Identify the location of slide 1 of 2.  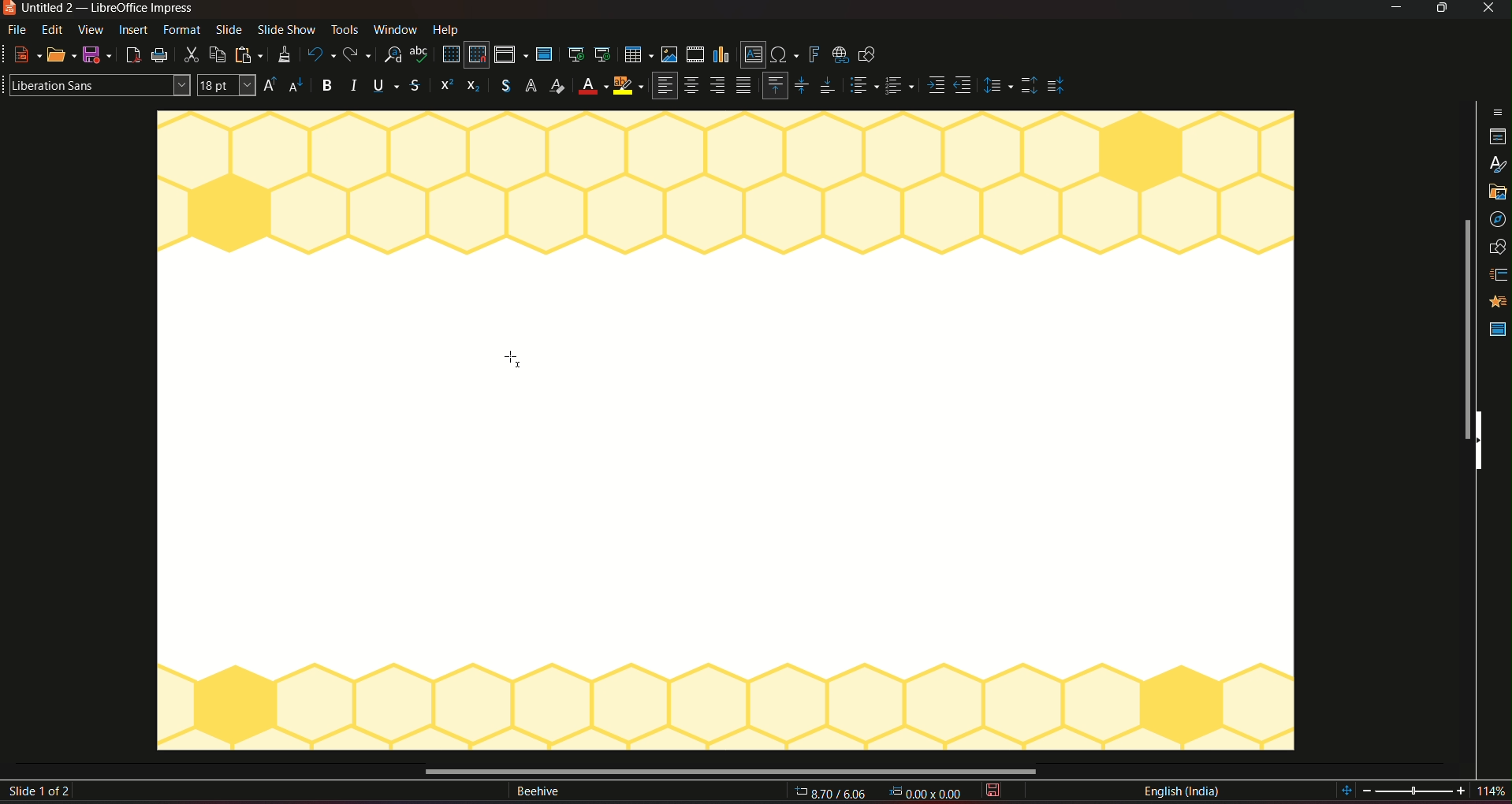
(43, 792).